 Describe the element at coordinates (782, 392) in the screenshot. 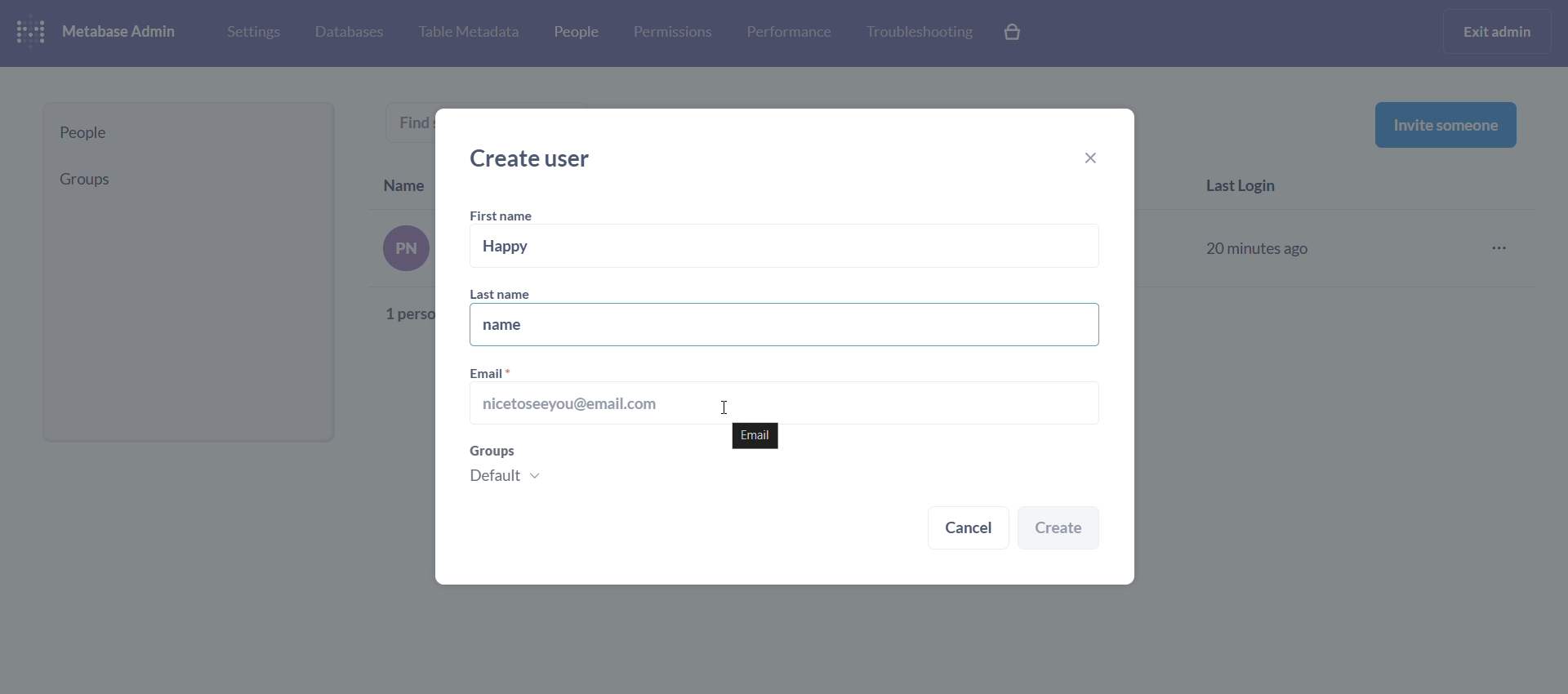

I see `email` at that location.